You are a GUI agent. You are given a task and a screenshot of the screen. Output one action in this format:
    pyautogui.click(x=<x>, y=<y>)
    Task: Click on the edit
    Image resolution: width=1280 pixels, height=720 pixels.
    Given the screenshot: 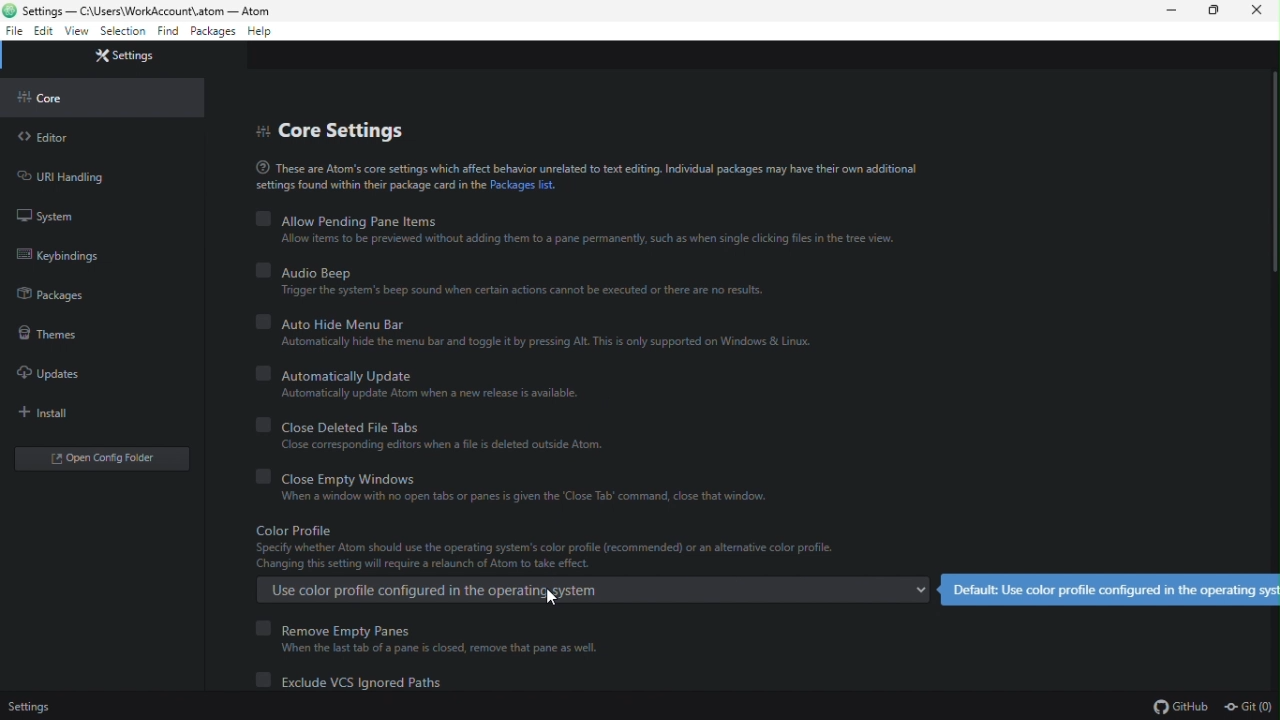 What is the action you would take?
    pyautogui.click(x=43, y=31)
    